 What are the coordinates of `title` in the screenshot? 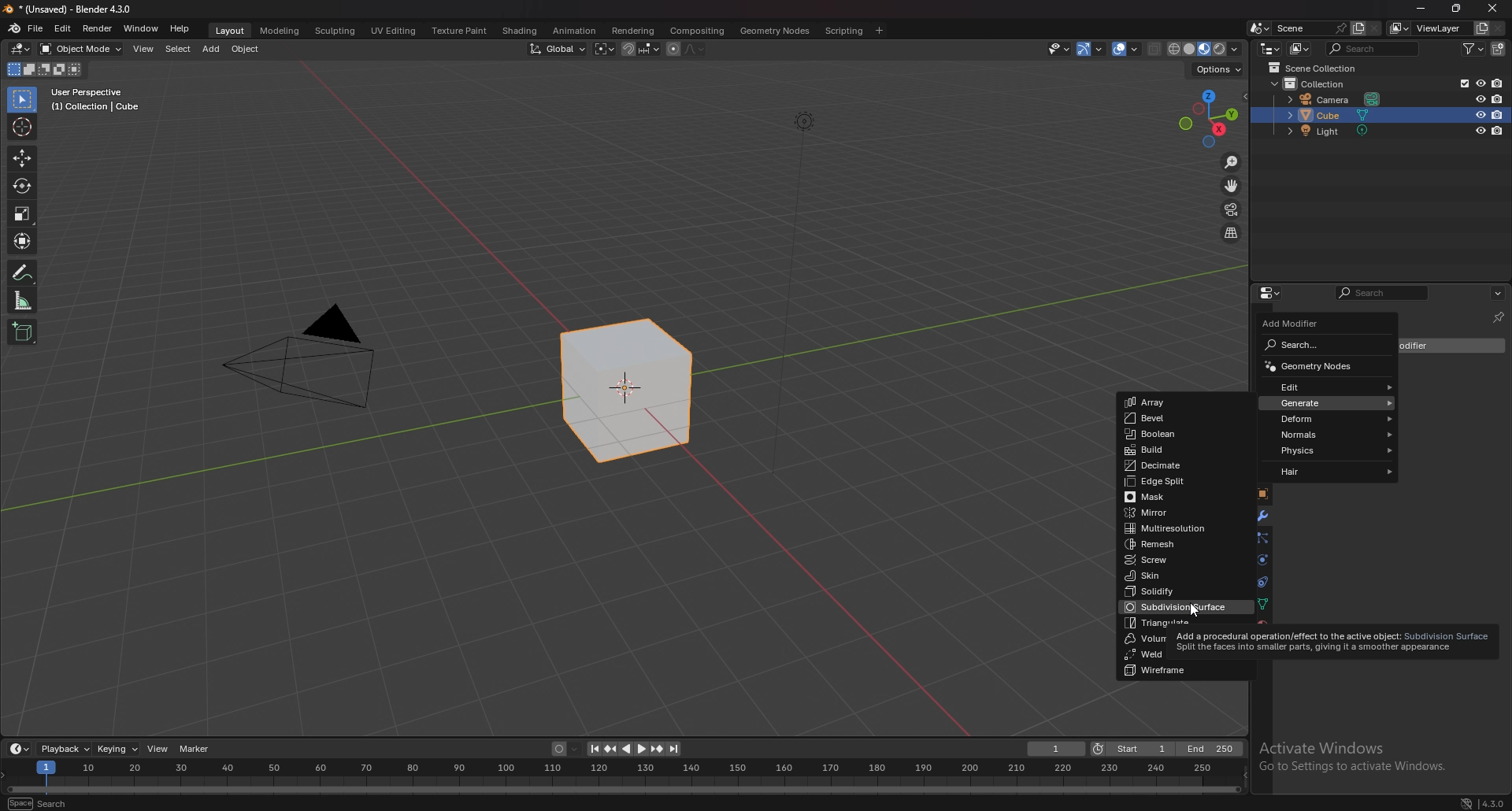 It's located at (68, 9).